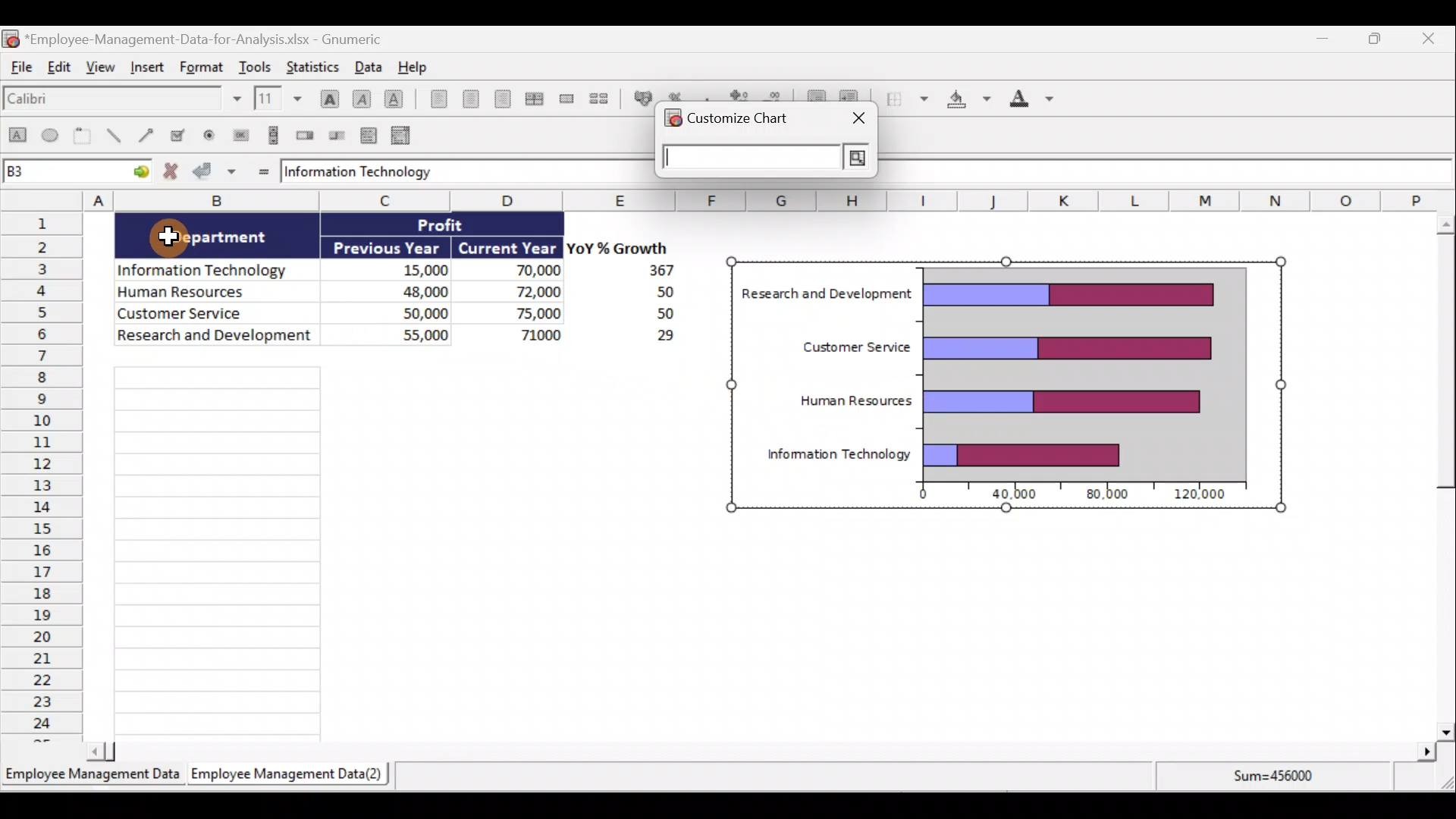  I want to click on Sum, so click(1282, 780).